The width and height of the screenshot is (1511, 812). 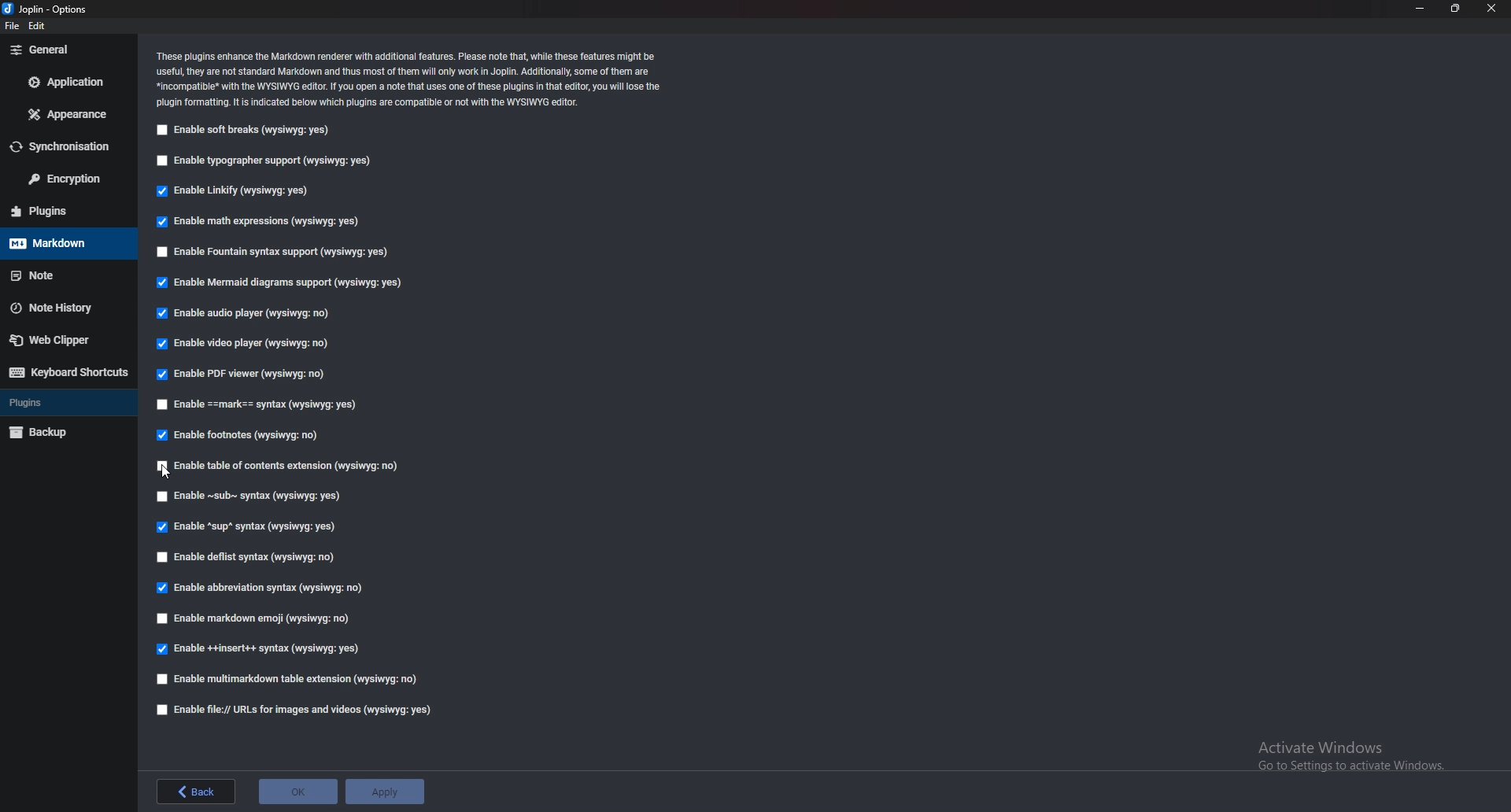 What do you see at coordinates (261, 407) in the screenshot?
I see `Enable Mark Syntax` at bounding box center [261, 407].